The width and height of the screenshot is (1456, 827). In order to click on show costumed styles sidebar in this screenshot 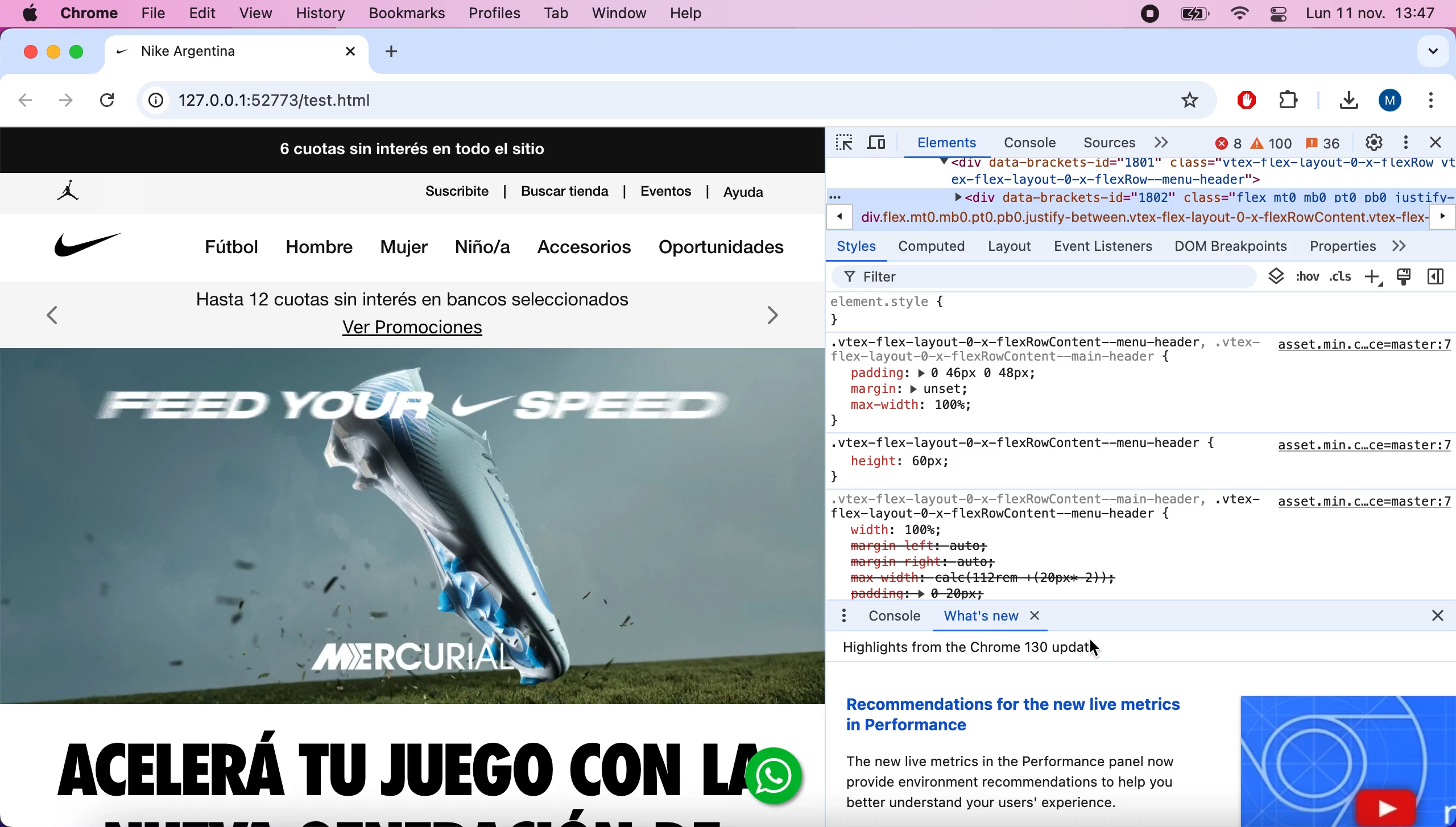, I will do `click(1439, 278)`.